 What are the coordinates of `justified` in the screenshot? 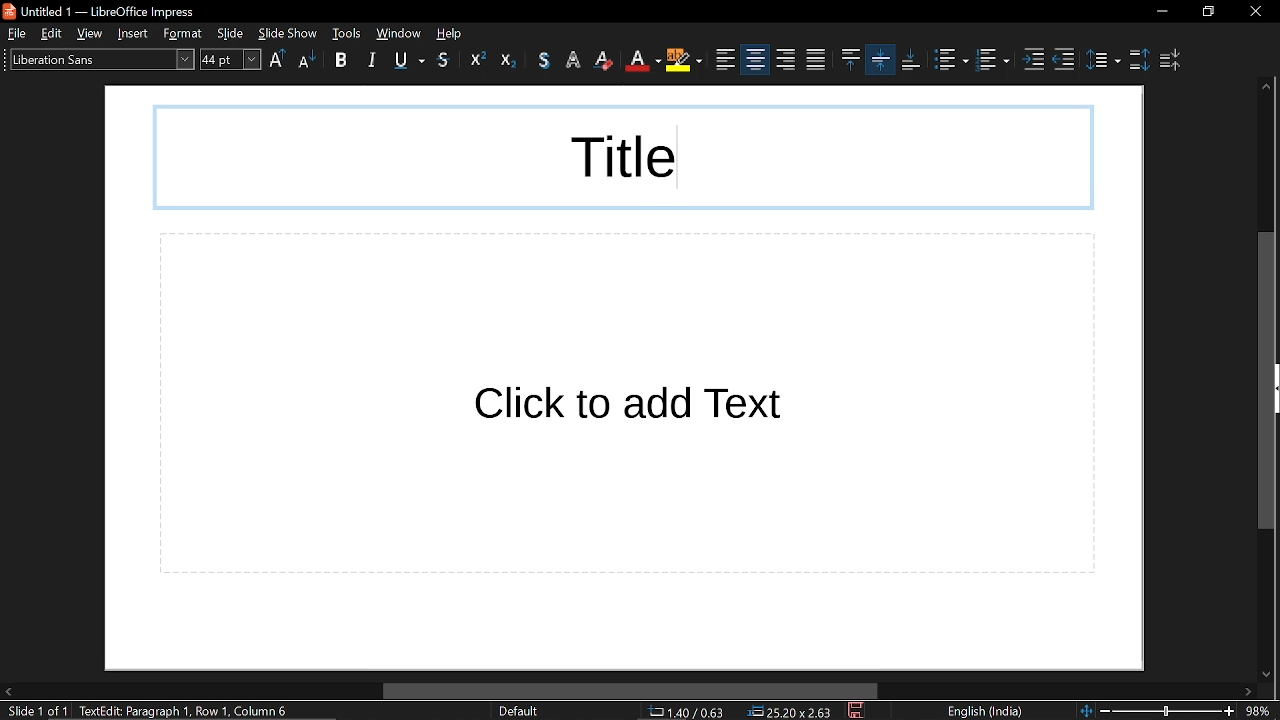 It's located at (786, 60).